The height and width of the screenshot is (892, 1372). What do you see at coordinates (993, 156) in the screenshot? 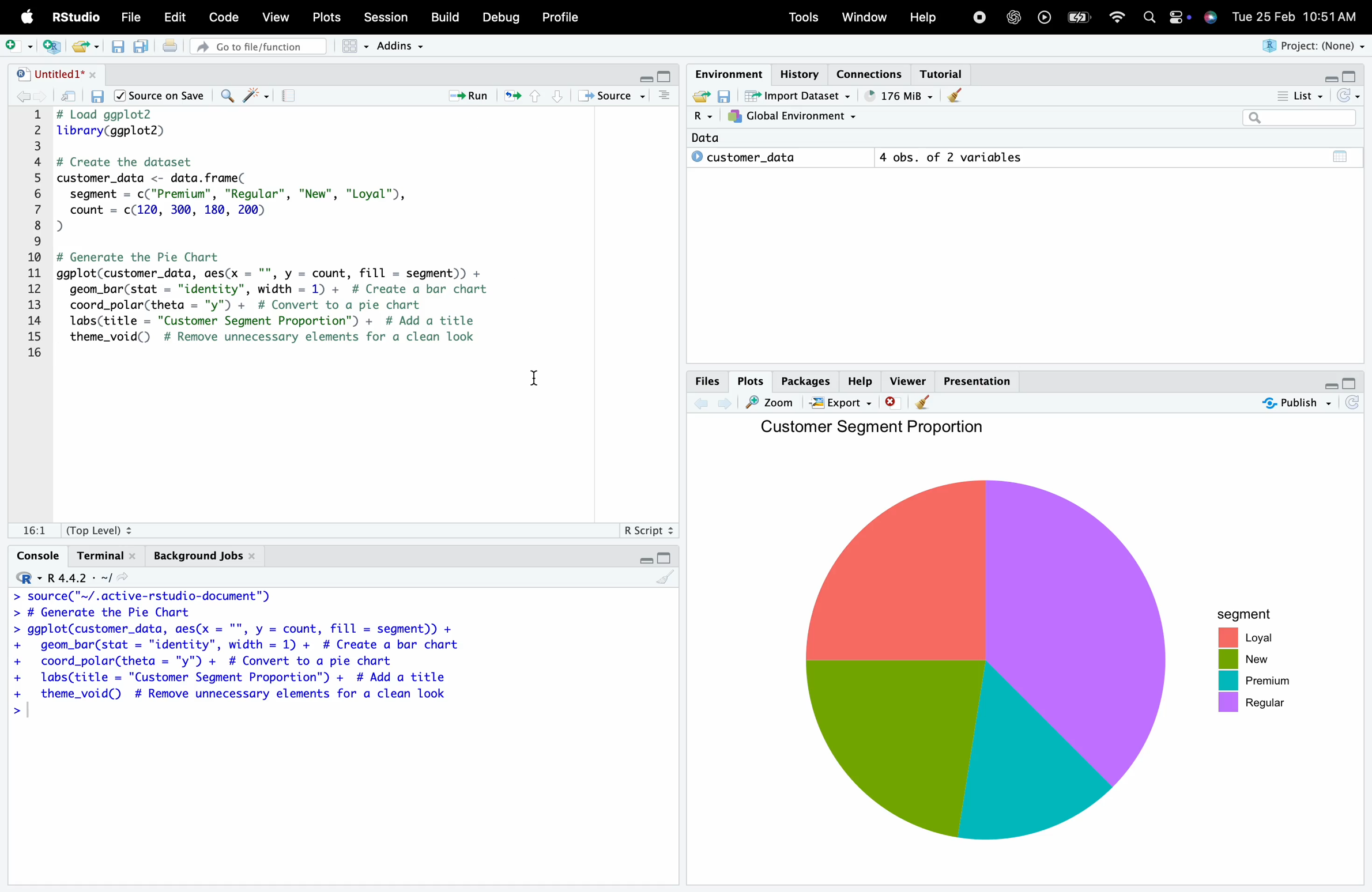
I see `4 obs. of 2 variables` at bounding box center [993, 156].